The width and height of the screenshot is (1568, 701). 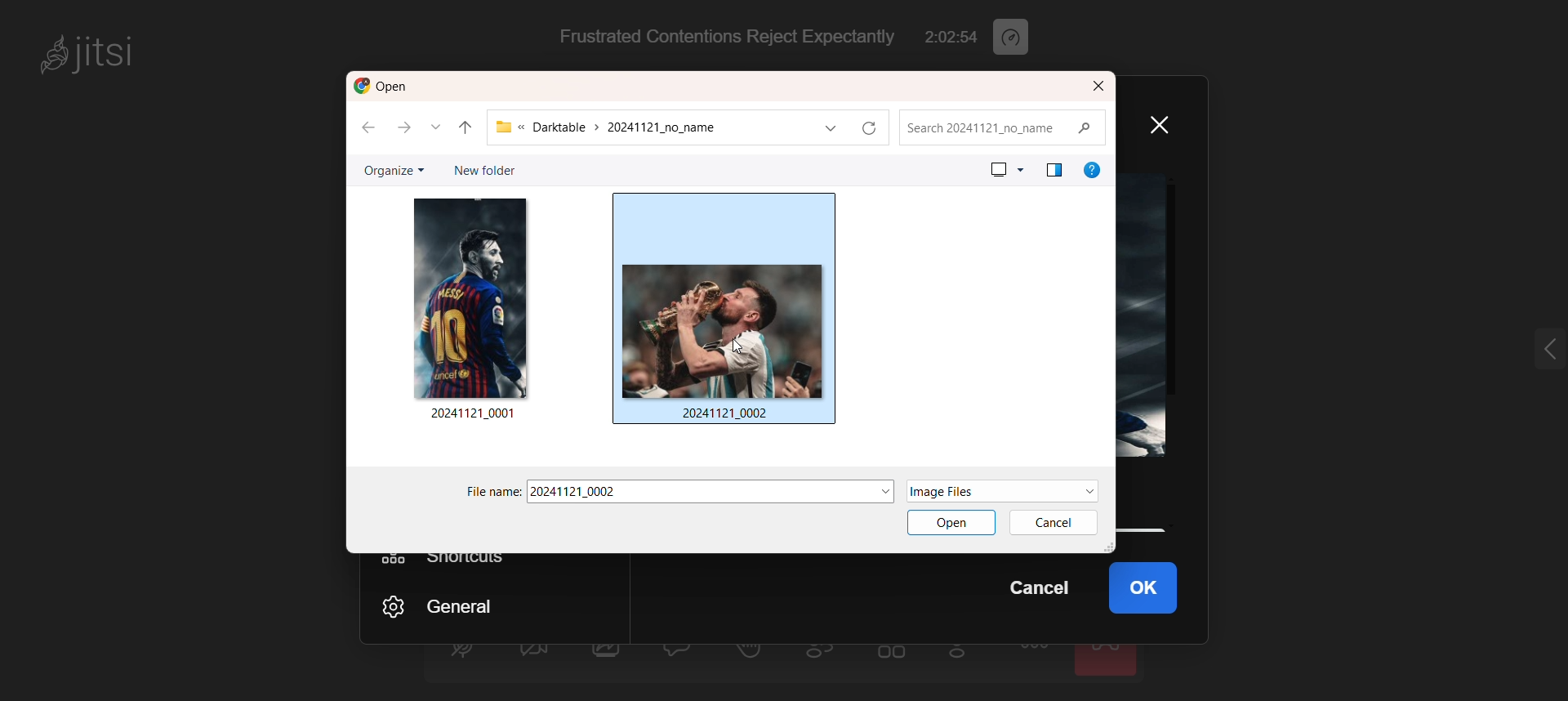 What do you see at coordinates (95, 52) in the screenshot?
I see `Jitsi` at bounding box center [95, 52].